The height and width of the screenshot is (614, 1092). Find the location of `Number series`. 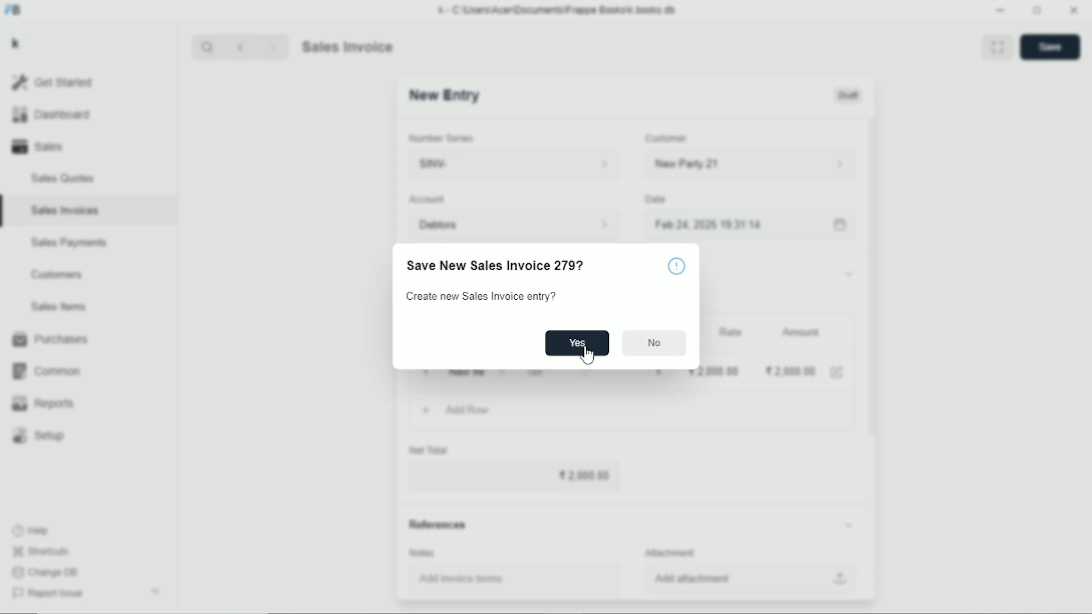

Number series is located at coordinates (442, 138).